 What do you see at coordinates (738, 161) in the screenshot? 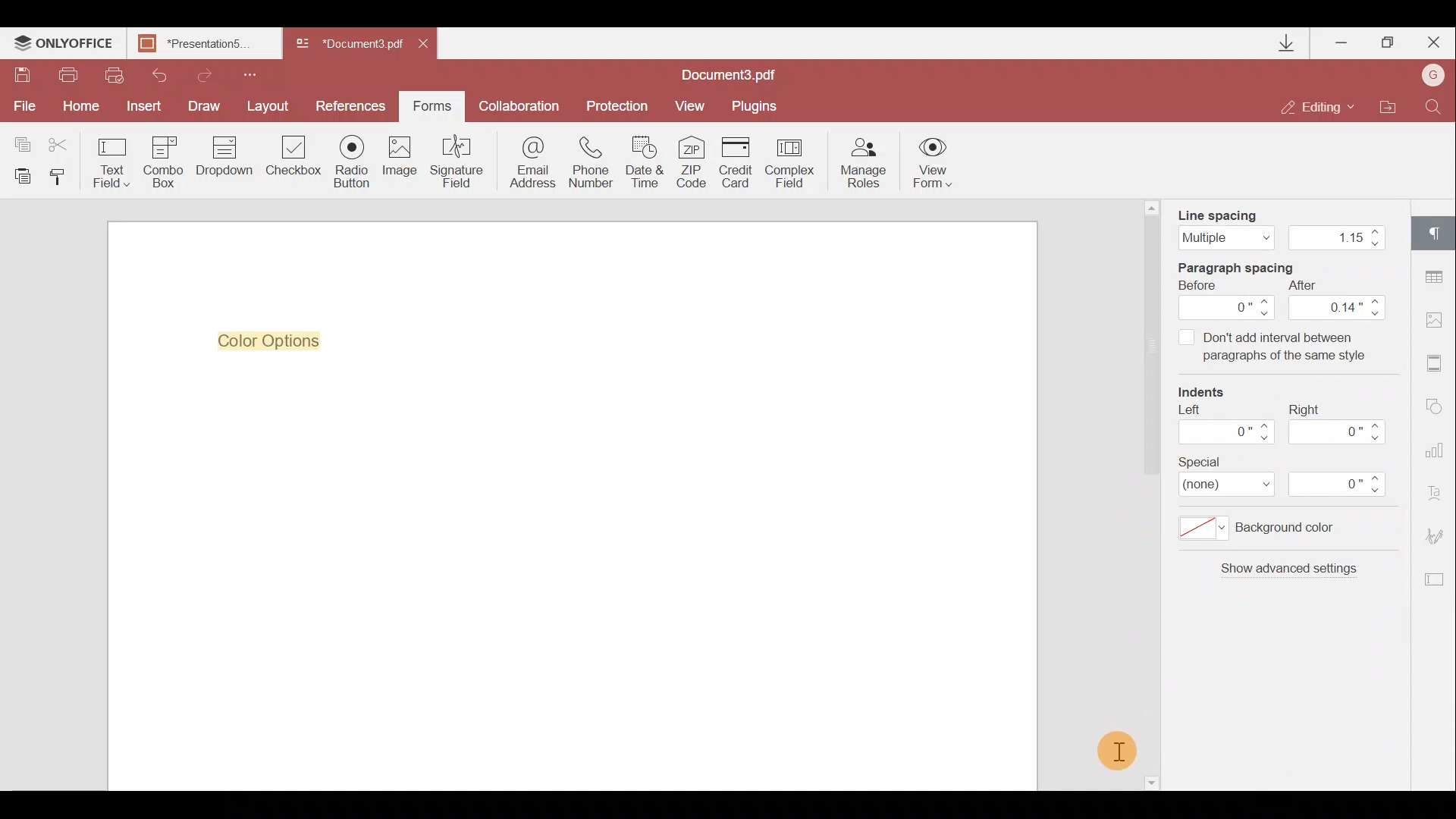
I see `Credit card` at bounding box center [738, 161].